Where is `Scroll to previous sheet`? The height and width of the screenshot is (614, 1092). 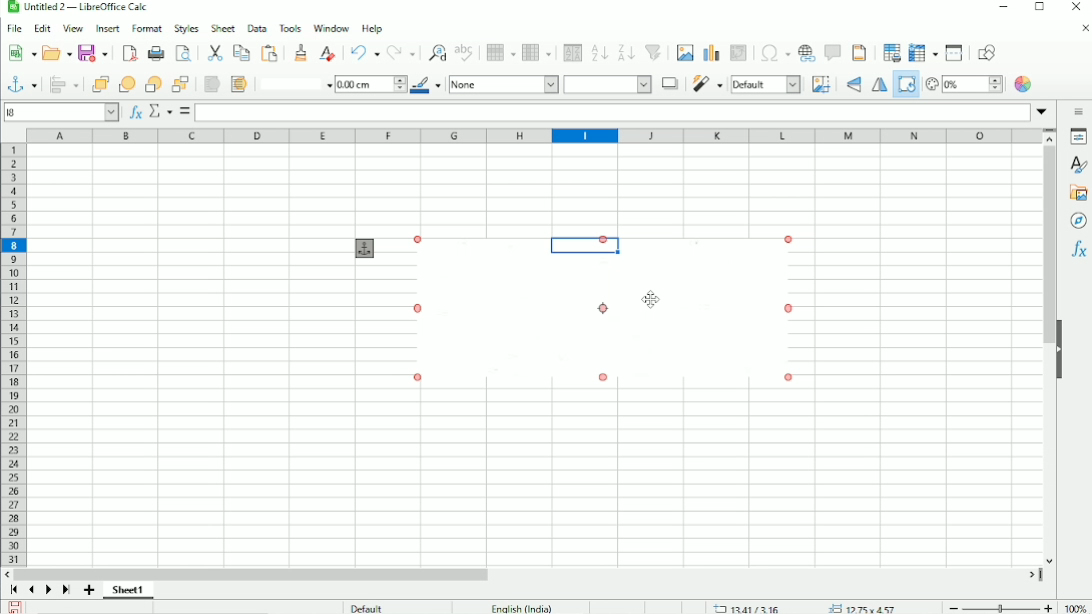
Scroll to previous sheet is located at coordinates (30, 590).